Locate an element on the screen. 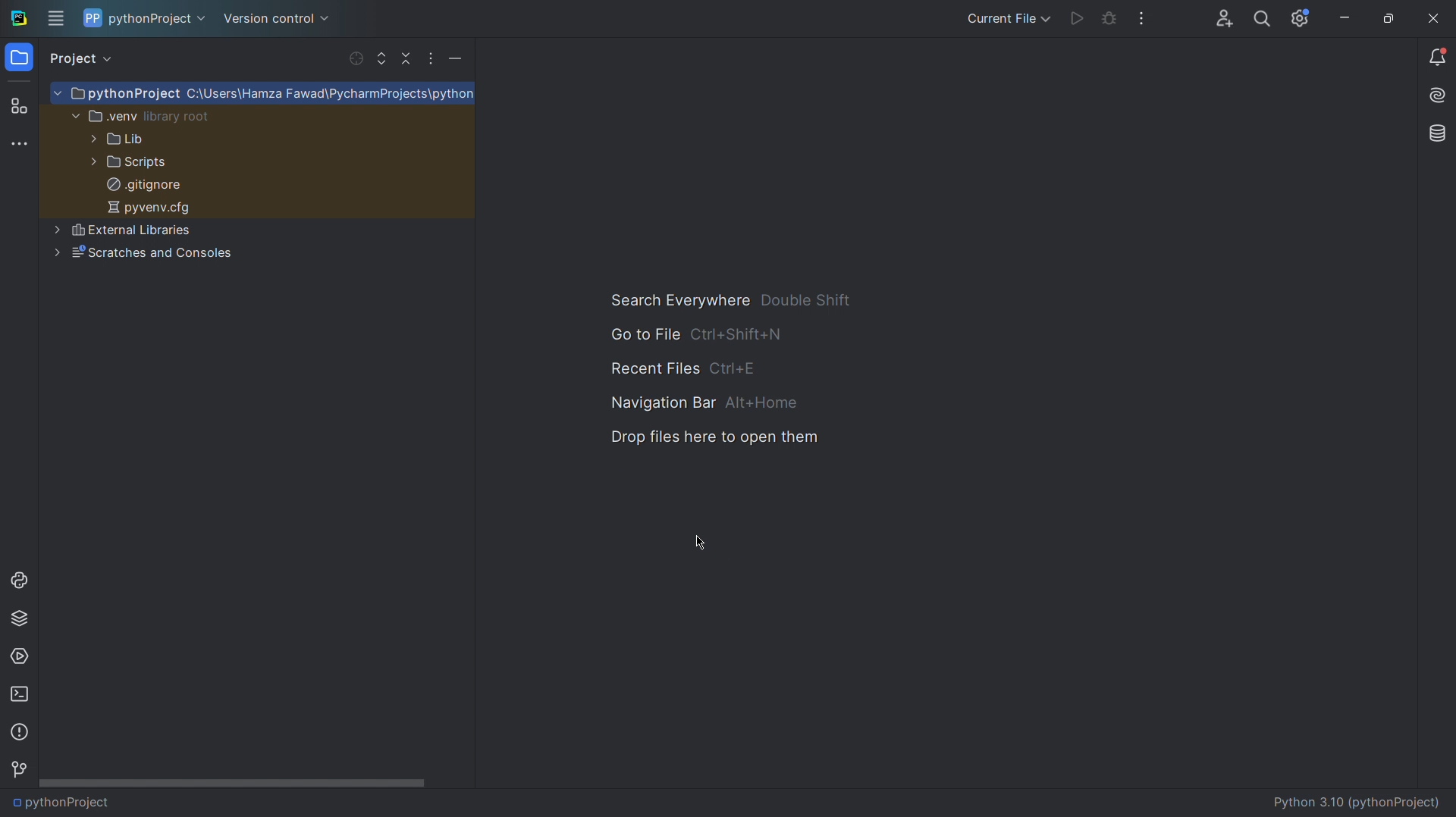 The height and width of the screenshot is (817, 1456). Logo is located at coordinates (17, 19).